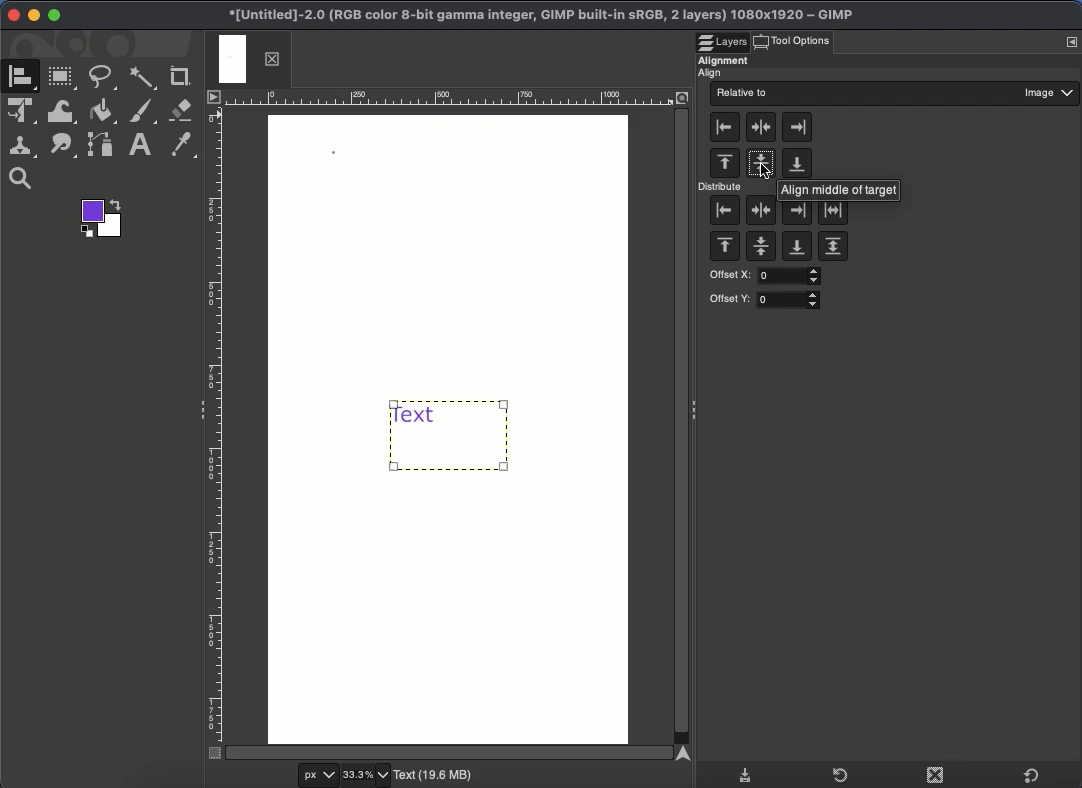 This screenshot has width=1082, height=788. I want to click on Clone, so click(24, 146).